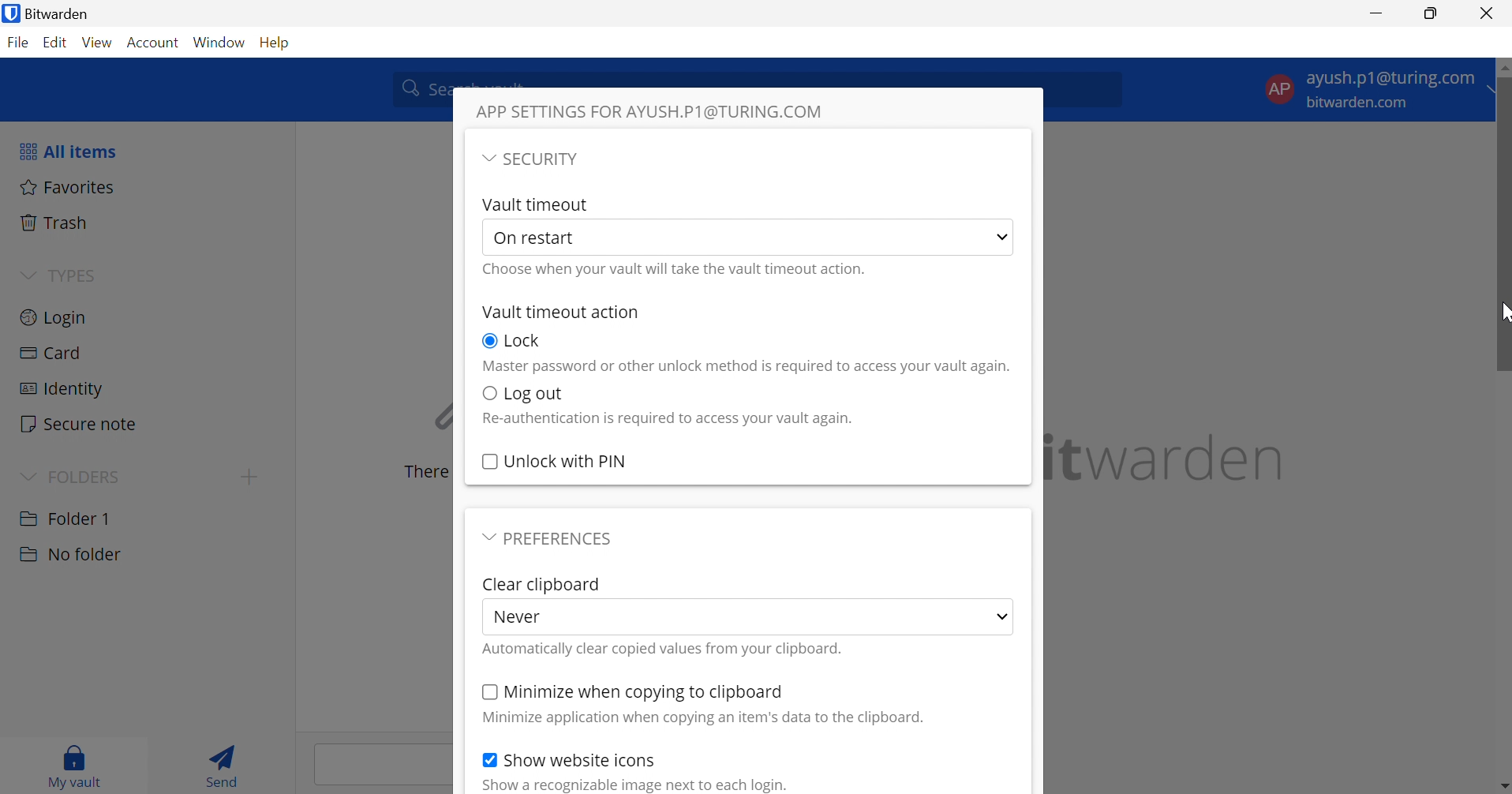 Image resolution: width=1512 pixels, height=794 pixels. What do you see at coordinates (679, 268) in the screenshot?
I see `Choose when your vault will take vault timeout action.` at bounding box center [679, 268].